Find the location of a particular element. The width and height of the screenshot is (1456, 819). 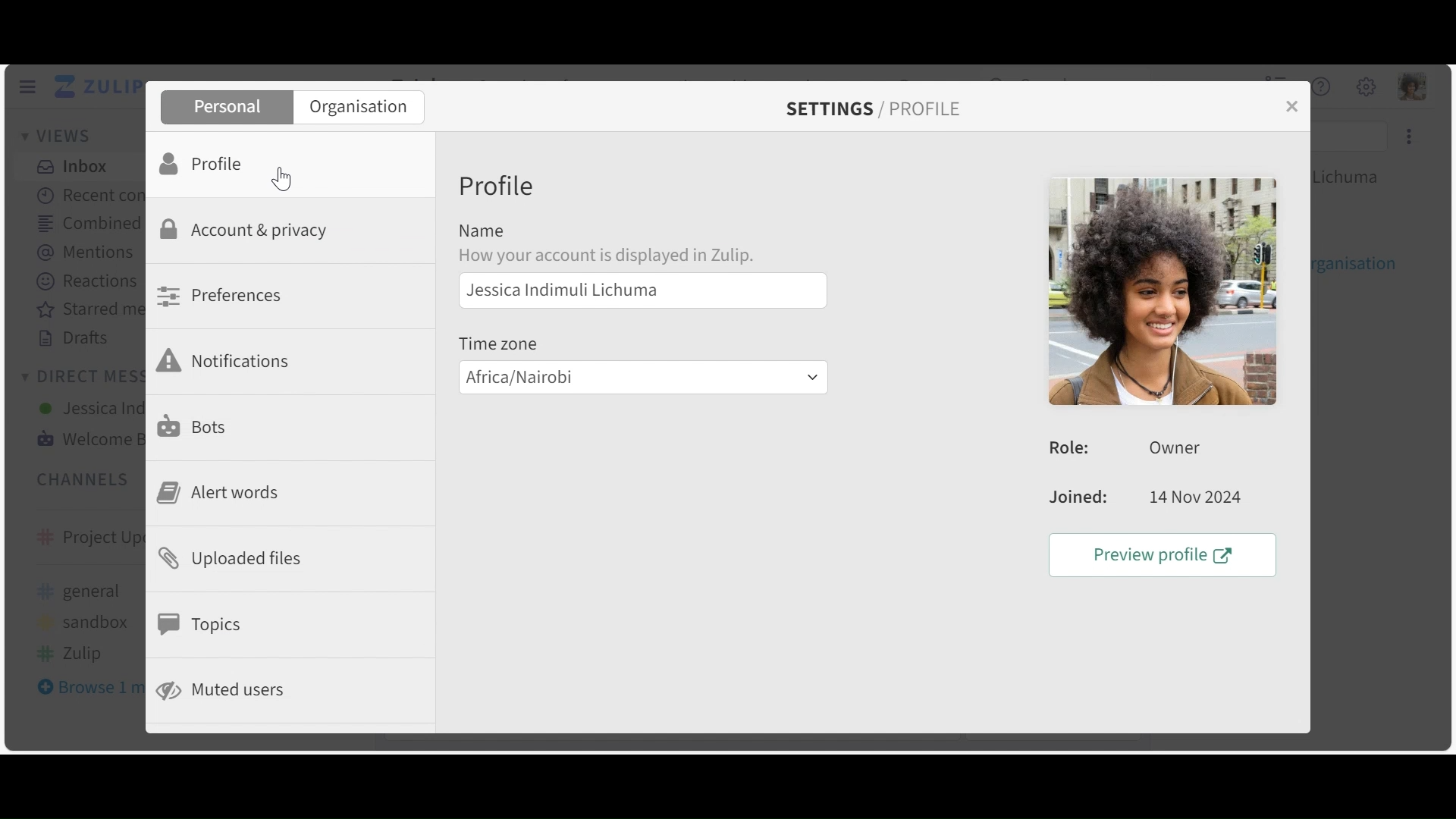

Timezone is located at coordinates (498, 341).